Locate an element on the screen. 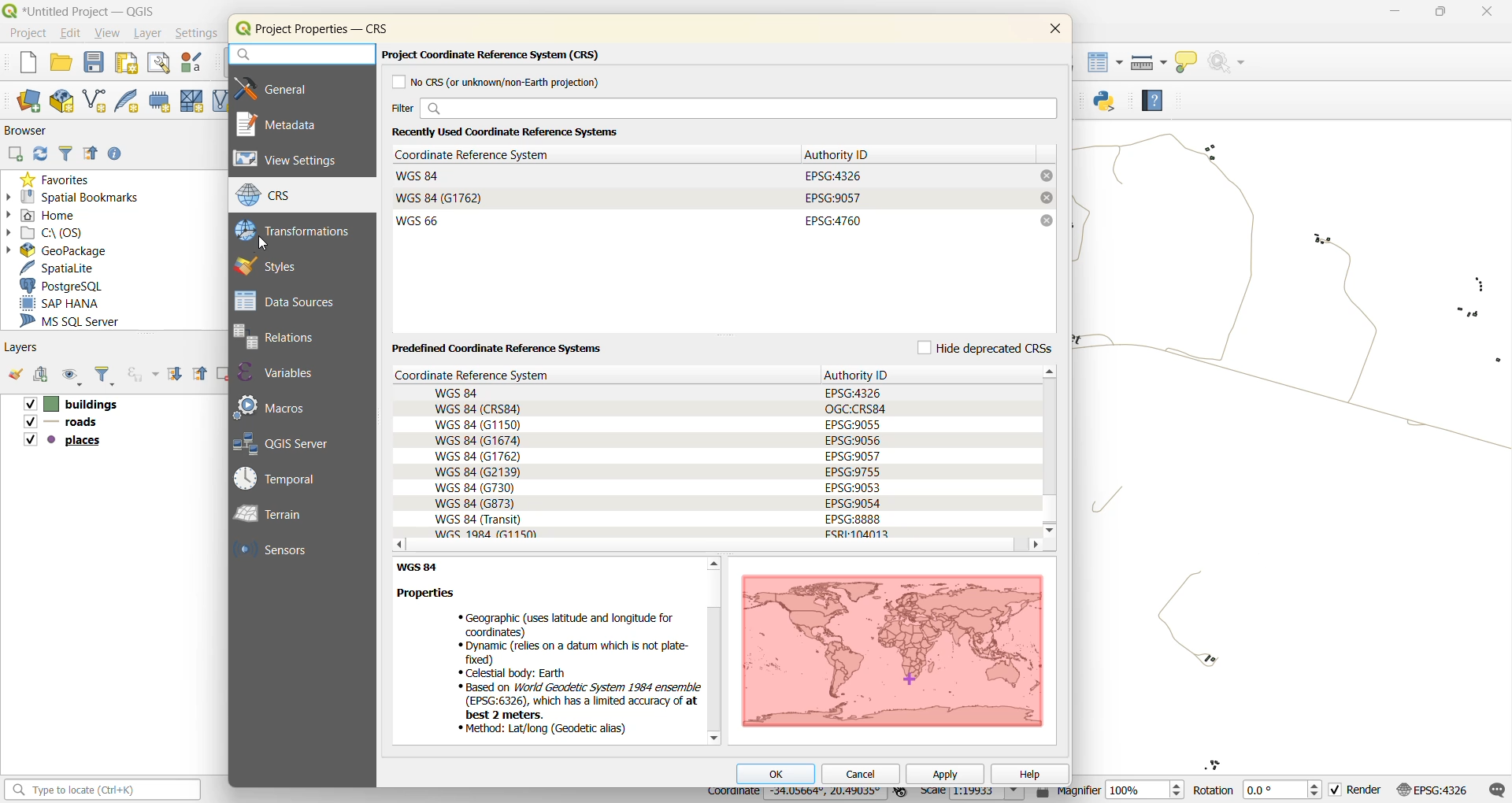 The height and width of the screenshot is (803, 1512). *Untitled Project — QGIS is located at coordinates (94, 11).